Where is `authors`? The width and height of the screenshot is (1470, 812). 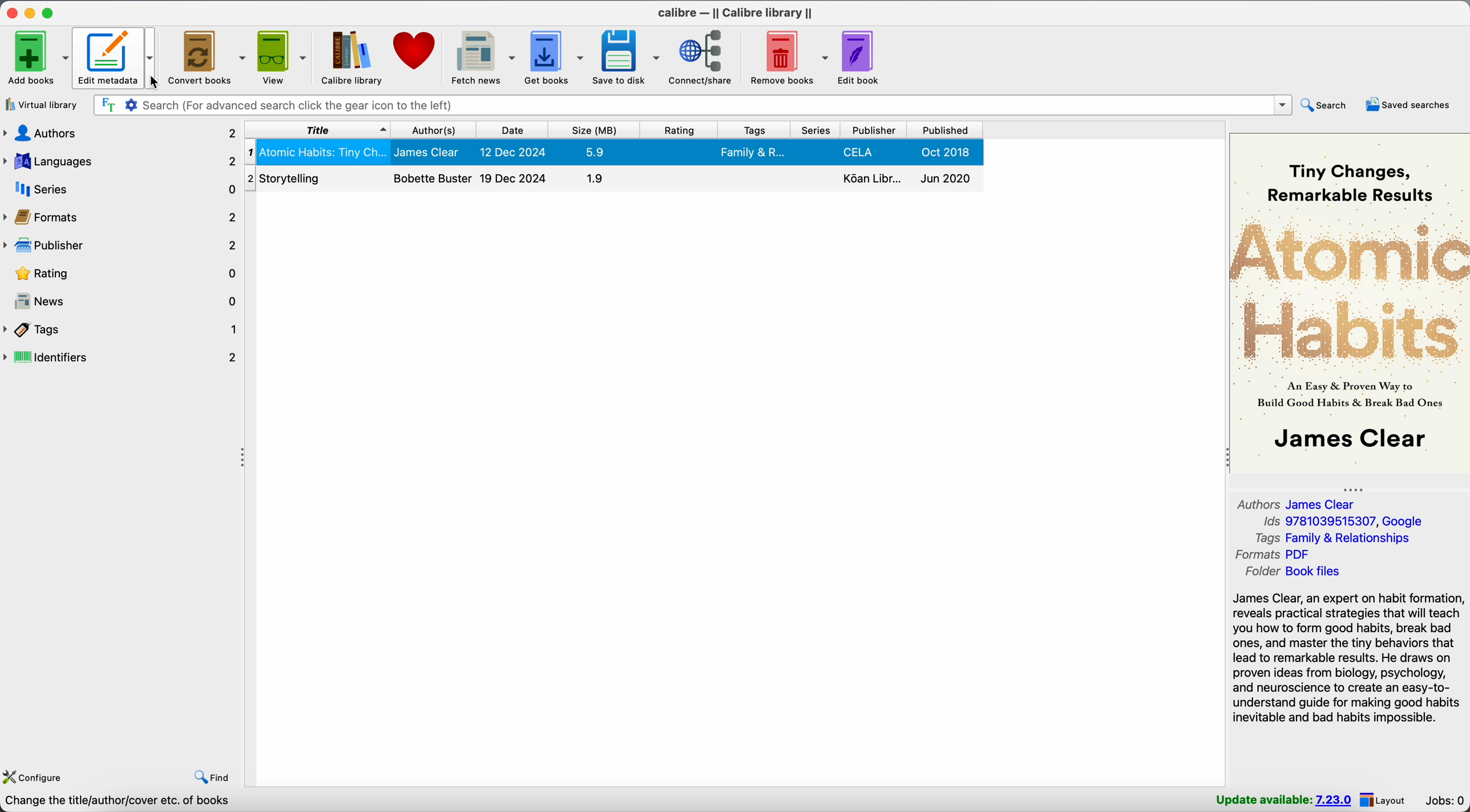
authors is located at coordinates (120, 134).